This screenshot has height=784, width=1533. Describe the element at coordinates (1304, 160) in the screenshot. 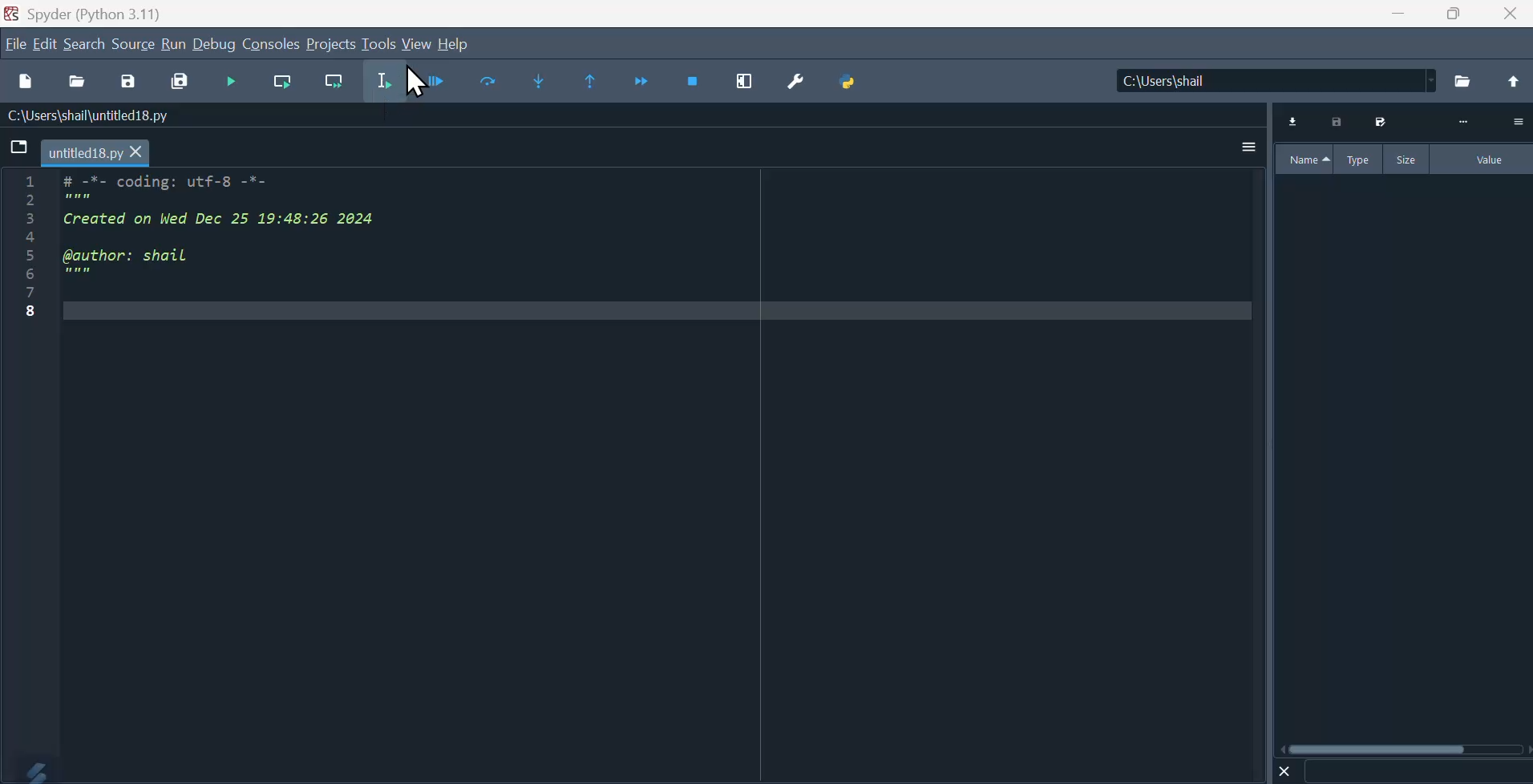

I see `Name` at that location.